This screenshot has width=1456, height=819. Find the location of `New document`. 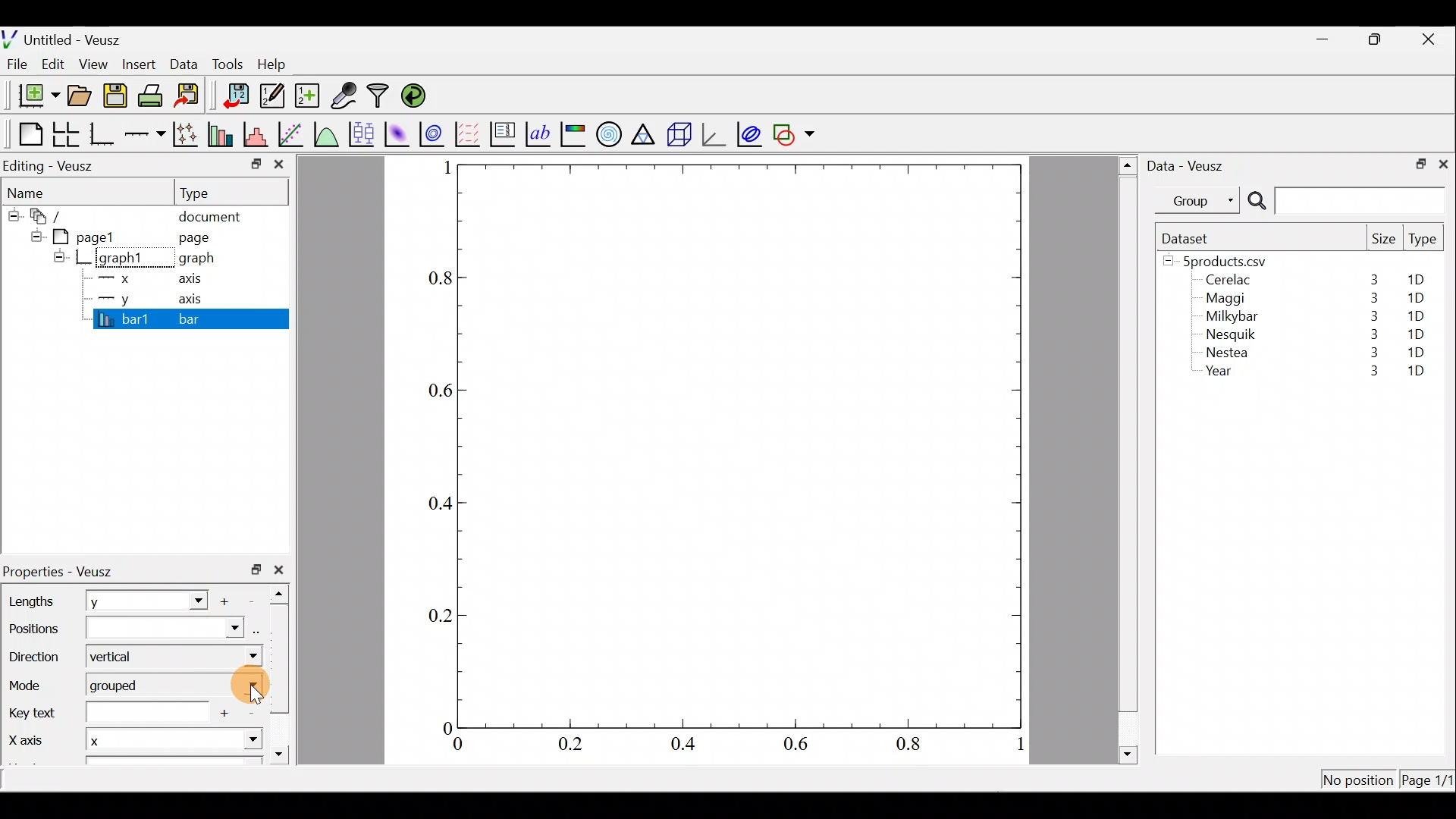

New document is located at coordinates (33, 96).